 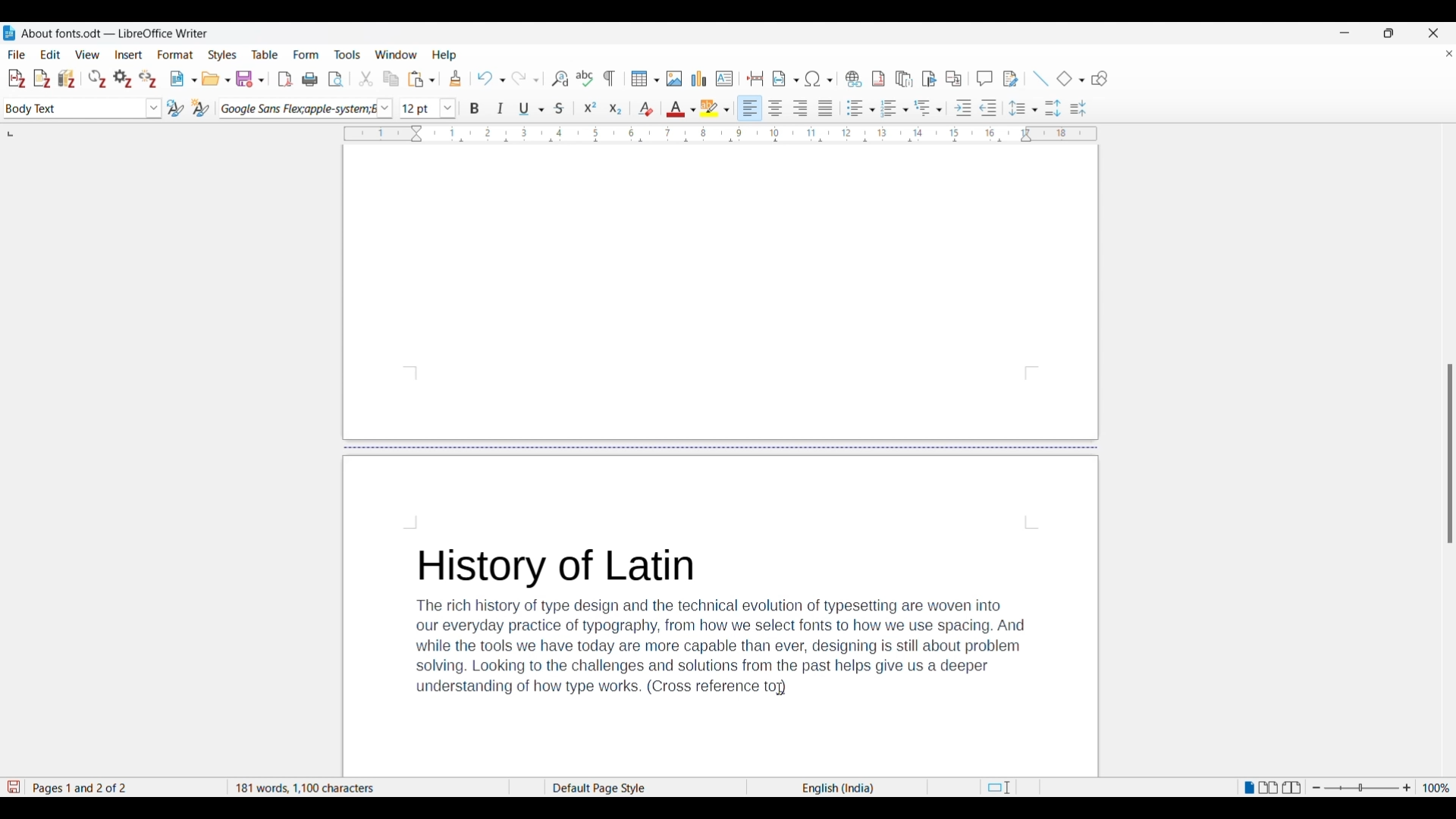 I want to click on Insert endnote, so click(x=904, y=80).